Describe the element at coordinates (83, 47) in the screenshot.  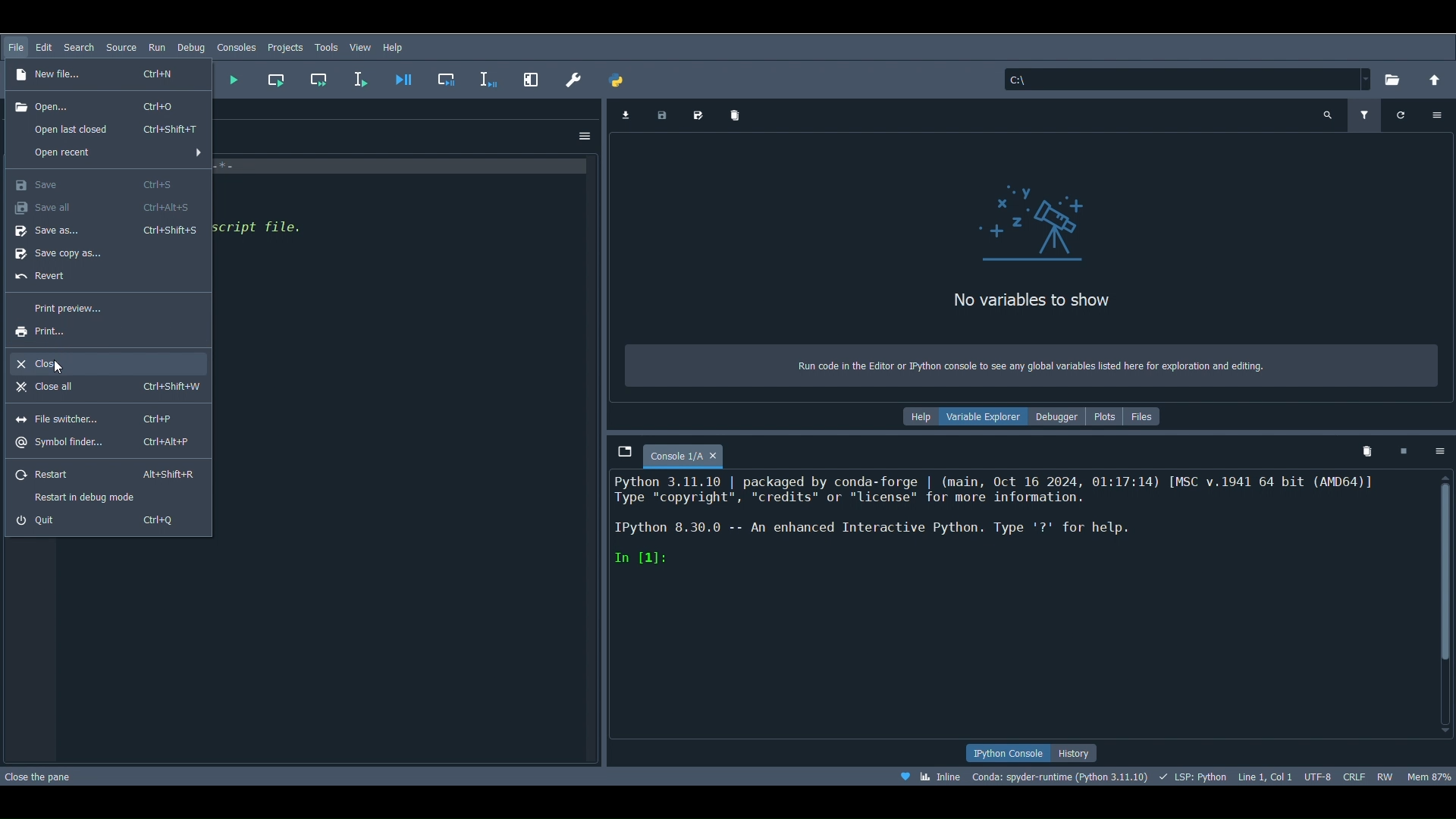
I see `Search` at that location.